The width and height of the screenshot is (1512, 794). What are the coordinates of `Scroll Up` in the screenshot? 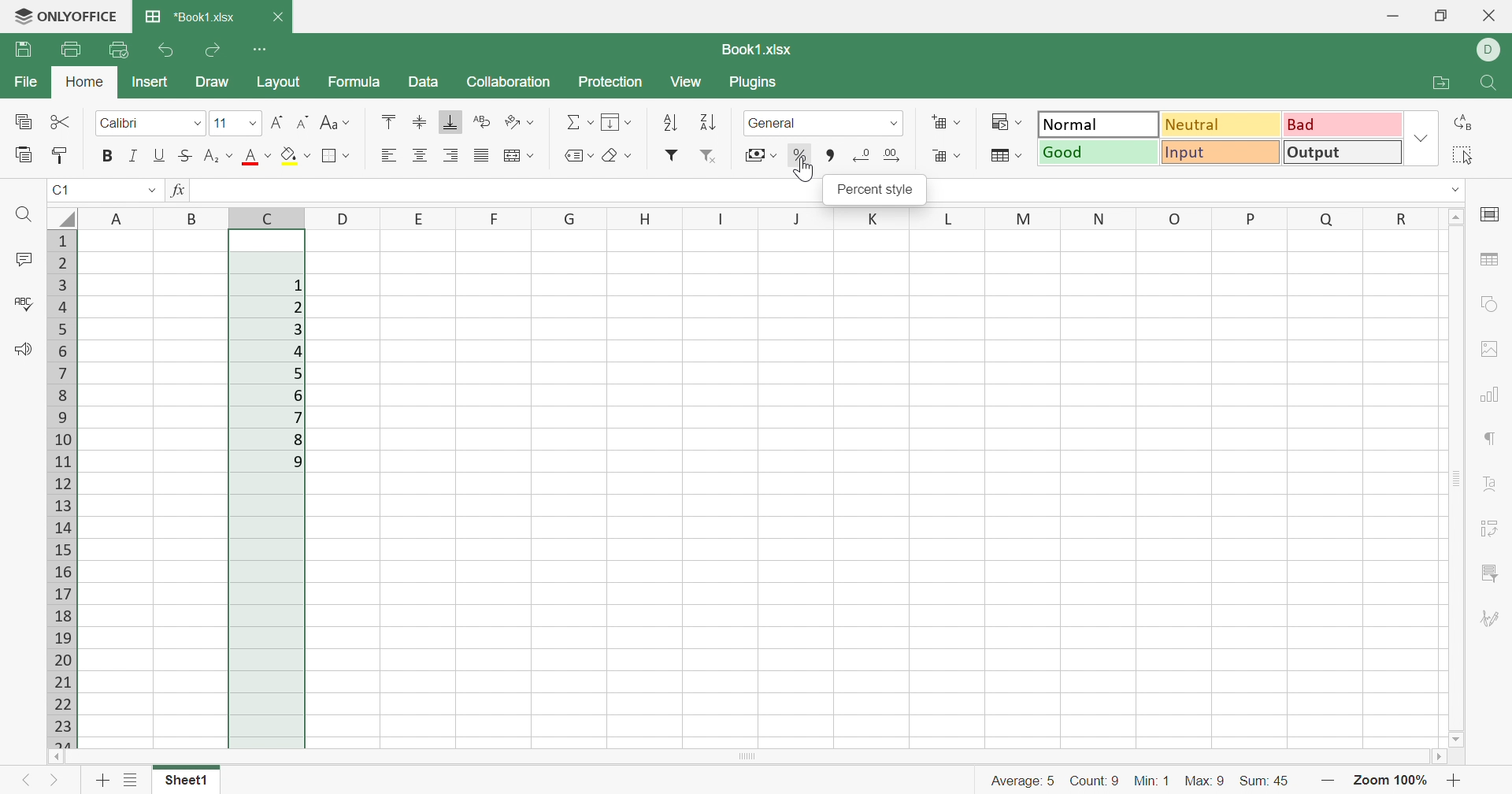 It's located at (1457, 217).